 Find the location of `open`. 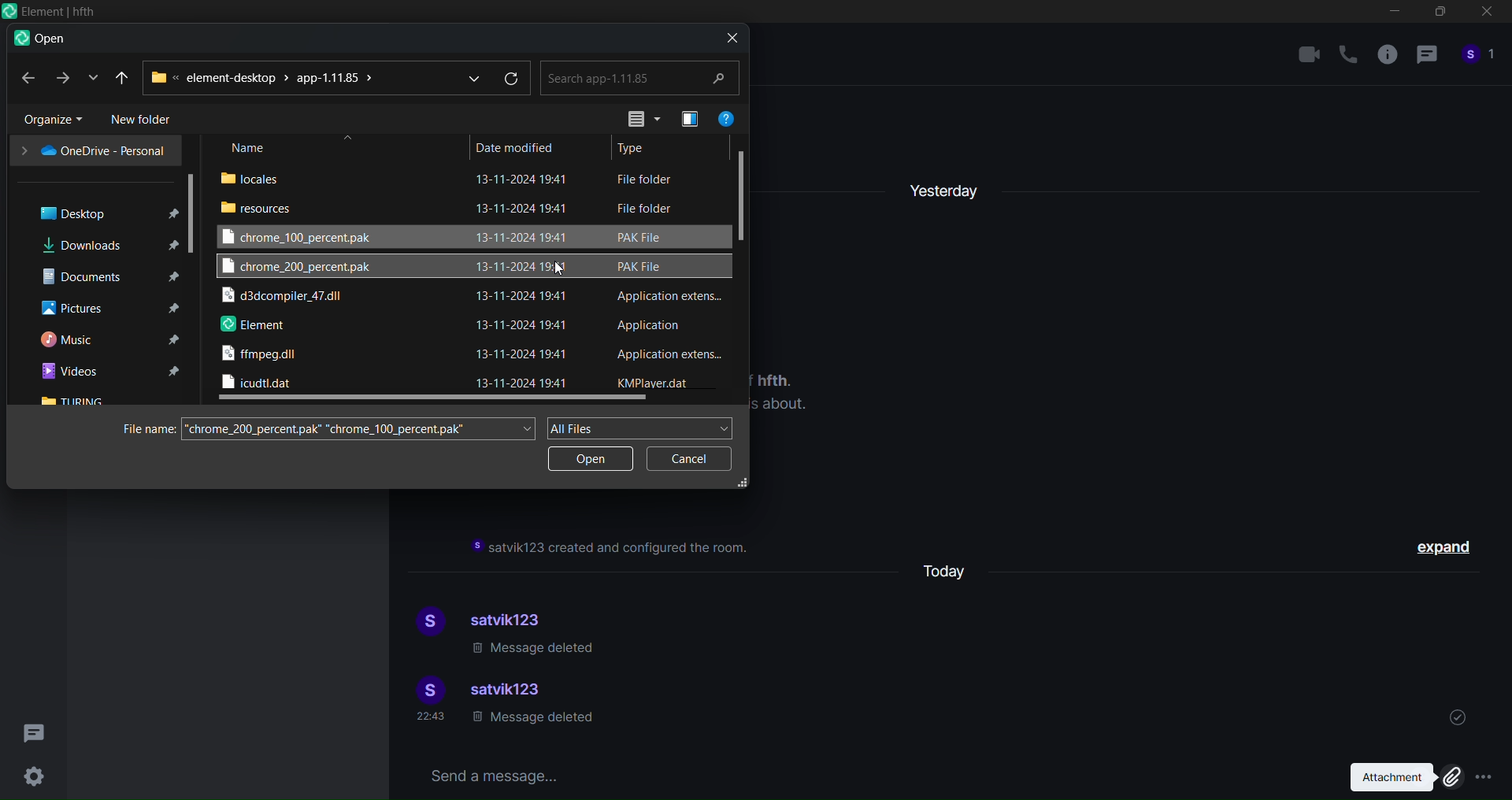

open is located at coordinates (591, 461).